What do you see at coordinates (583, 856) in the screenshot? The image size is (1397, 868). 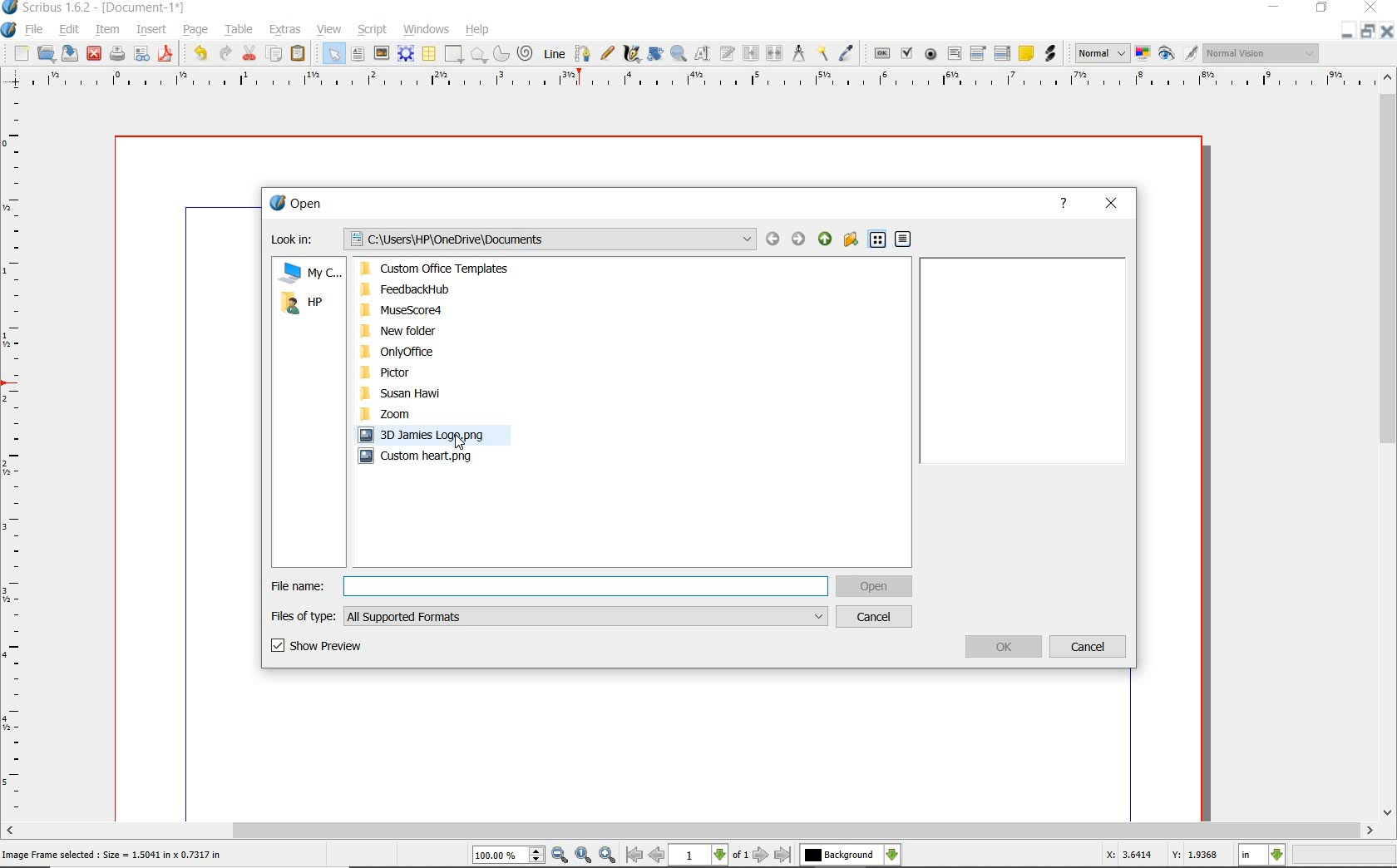 I see `zoom to` at bounding box center [583, 856].